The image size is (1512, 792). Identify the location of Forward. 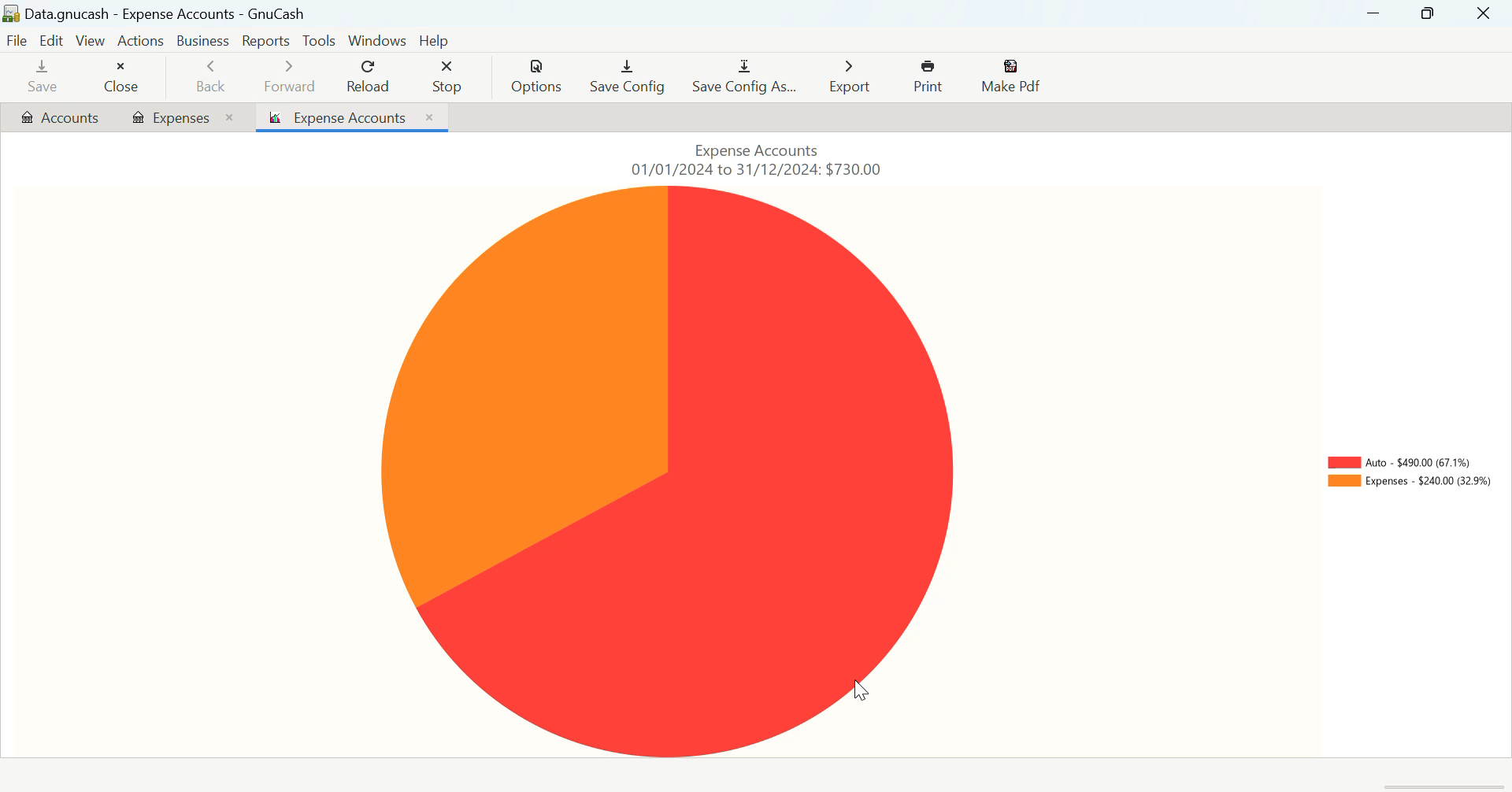
(291, 80).